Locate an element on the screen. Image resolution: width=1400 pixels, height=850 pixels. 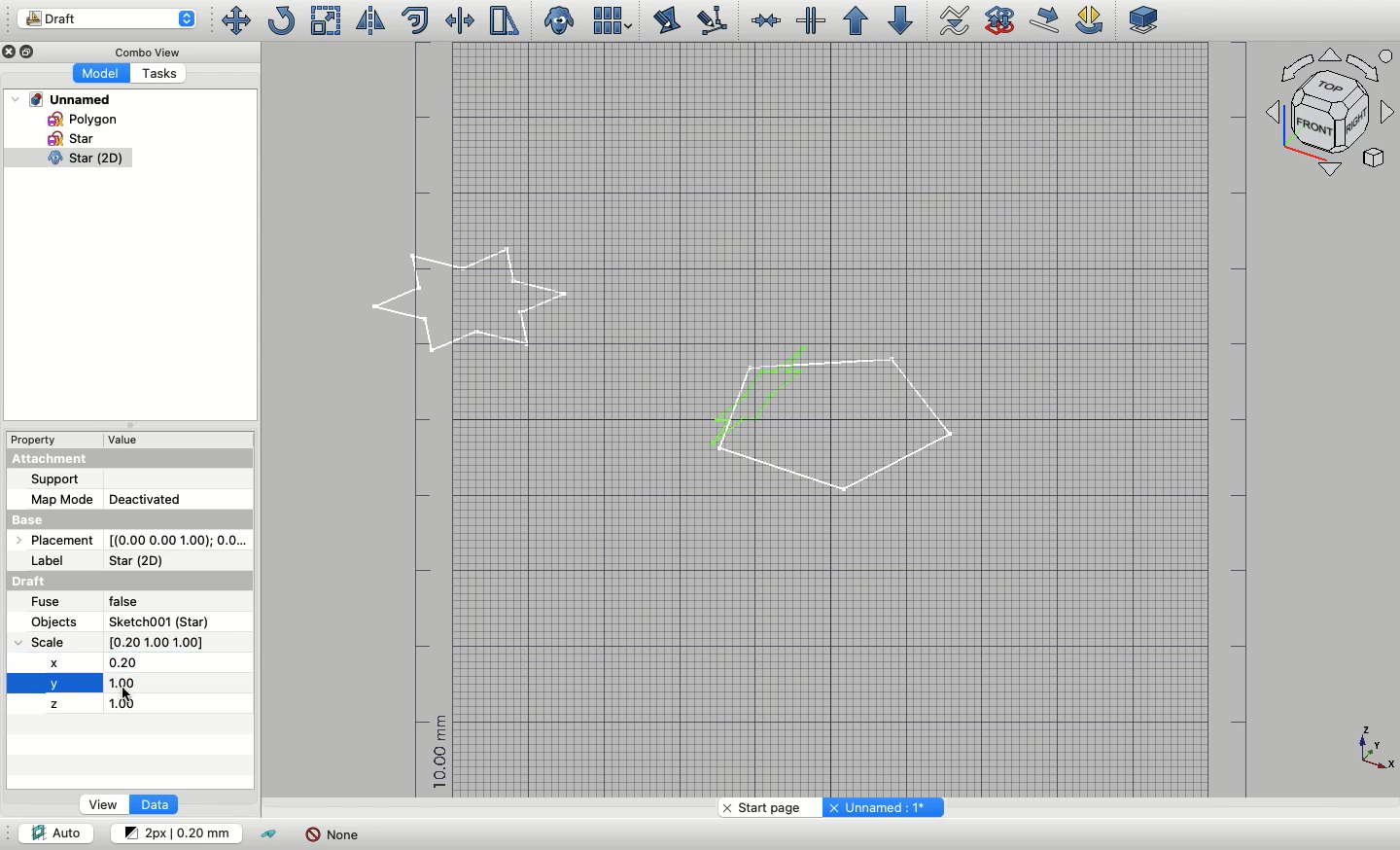
Downgrade is located at coordinates (897, 20).